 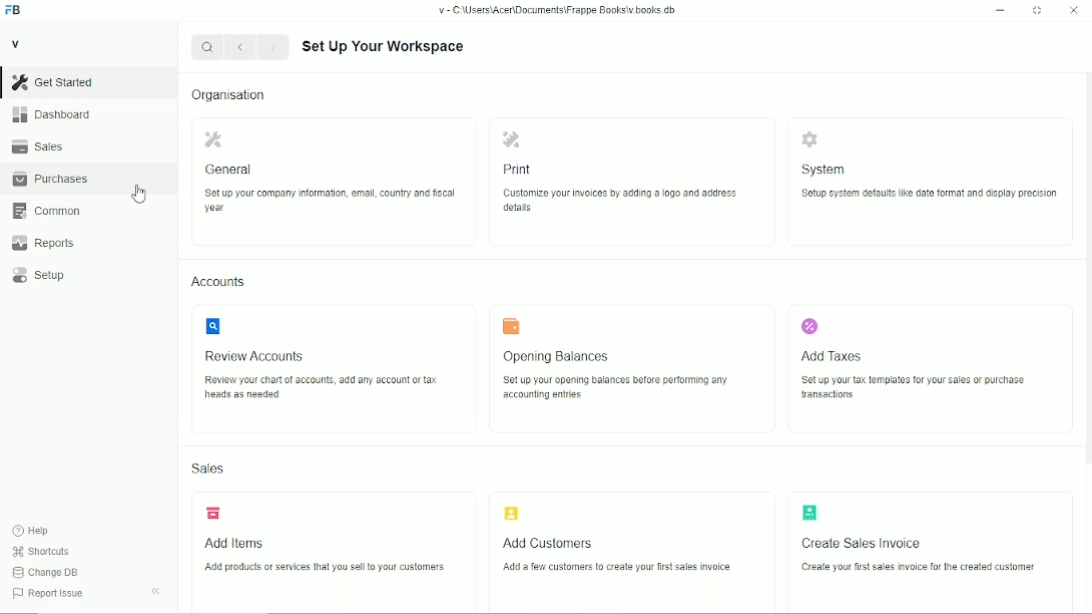 What do you see at coordinates (38, 146) in the screenshot?
I see `sales` at bounding box center [38, 146].